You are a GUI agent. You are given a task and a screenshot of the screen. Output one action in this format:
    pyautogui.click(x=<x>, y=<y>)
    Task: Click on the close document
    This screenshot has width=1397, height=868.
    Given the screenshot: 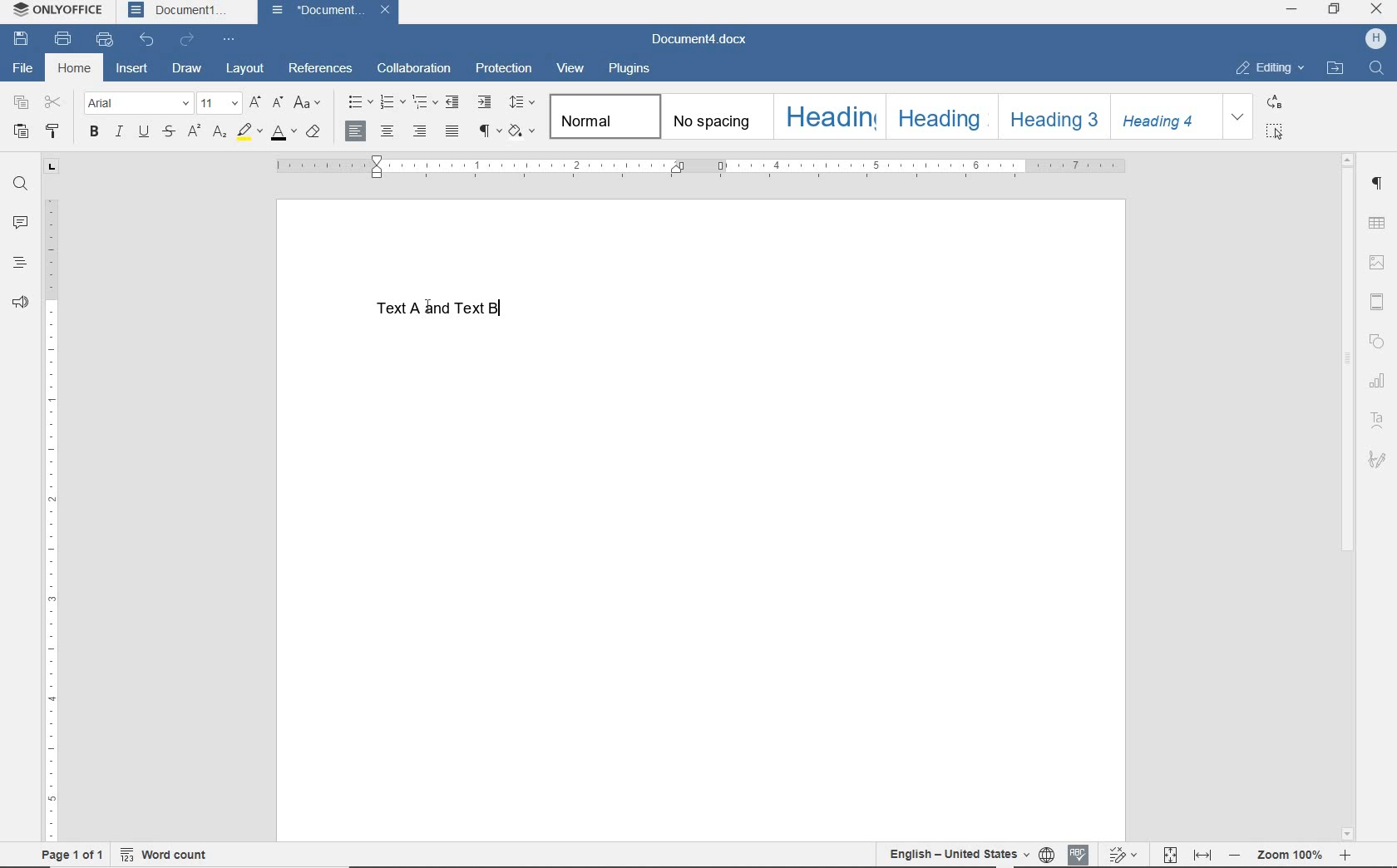 What is the action you would take?
    pyautogui.click(x=389, y=12)
    